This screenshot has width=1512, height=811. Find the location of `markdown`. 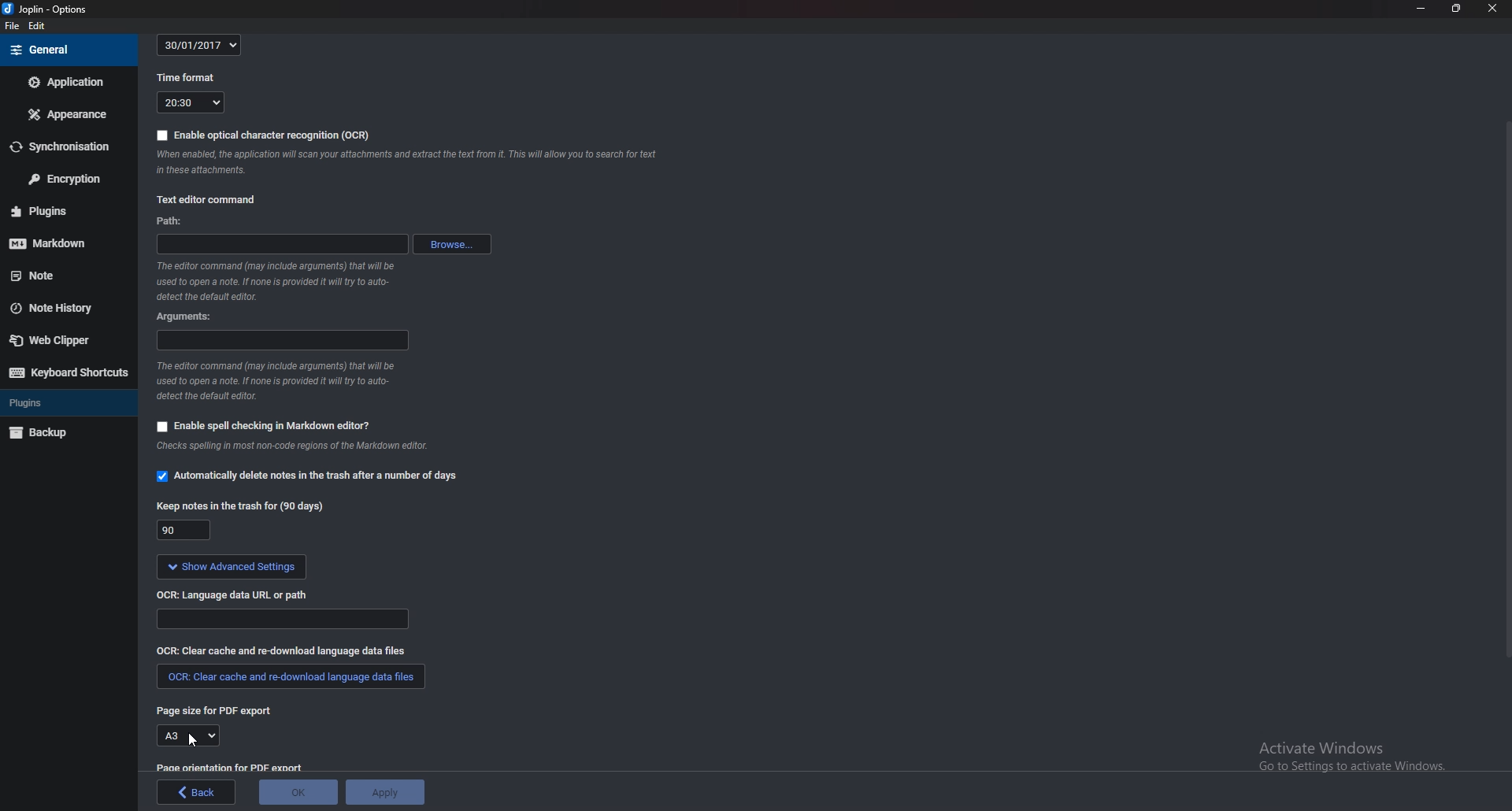

markdown is located at coordinates (65, 244).